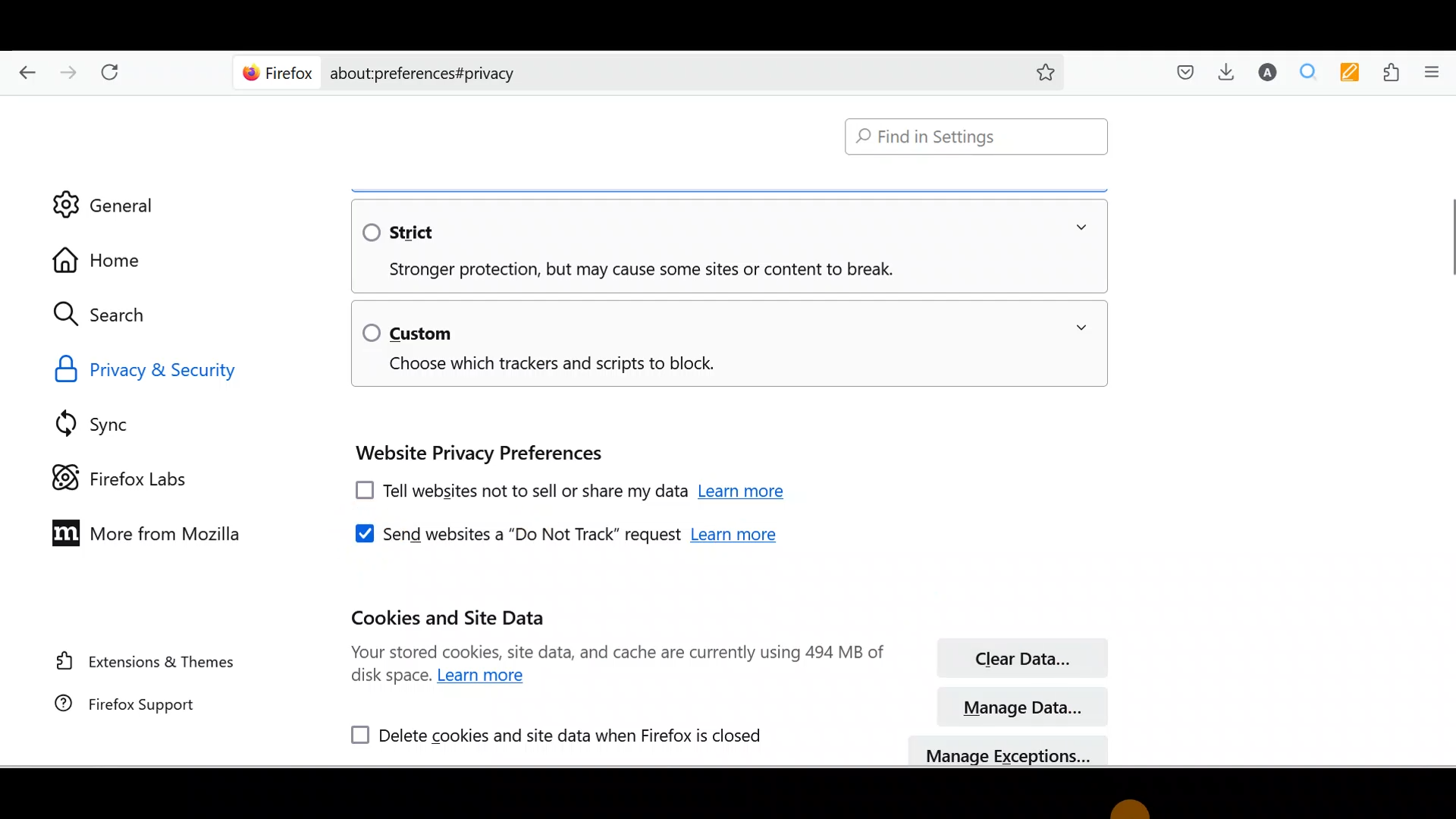 This screenshot has width=1456, height=819. What do you see at coordinates (1081, 227) in the screenshot?
I see `expand` at bounding box center [1081, 227].